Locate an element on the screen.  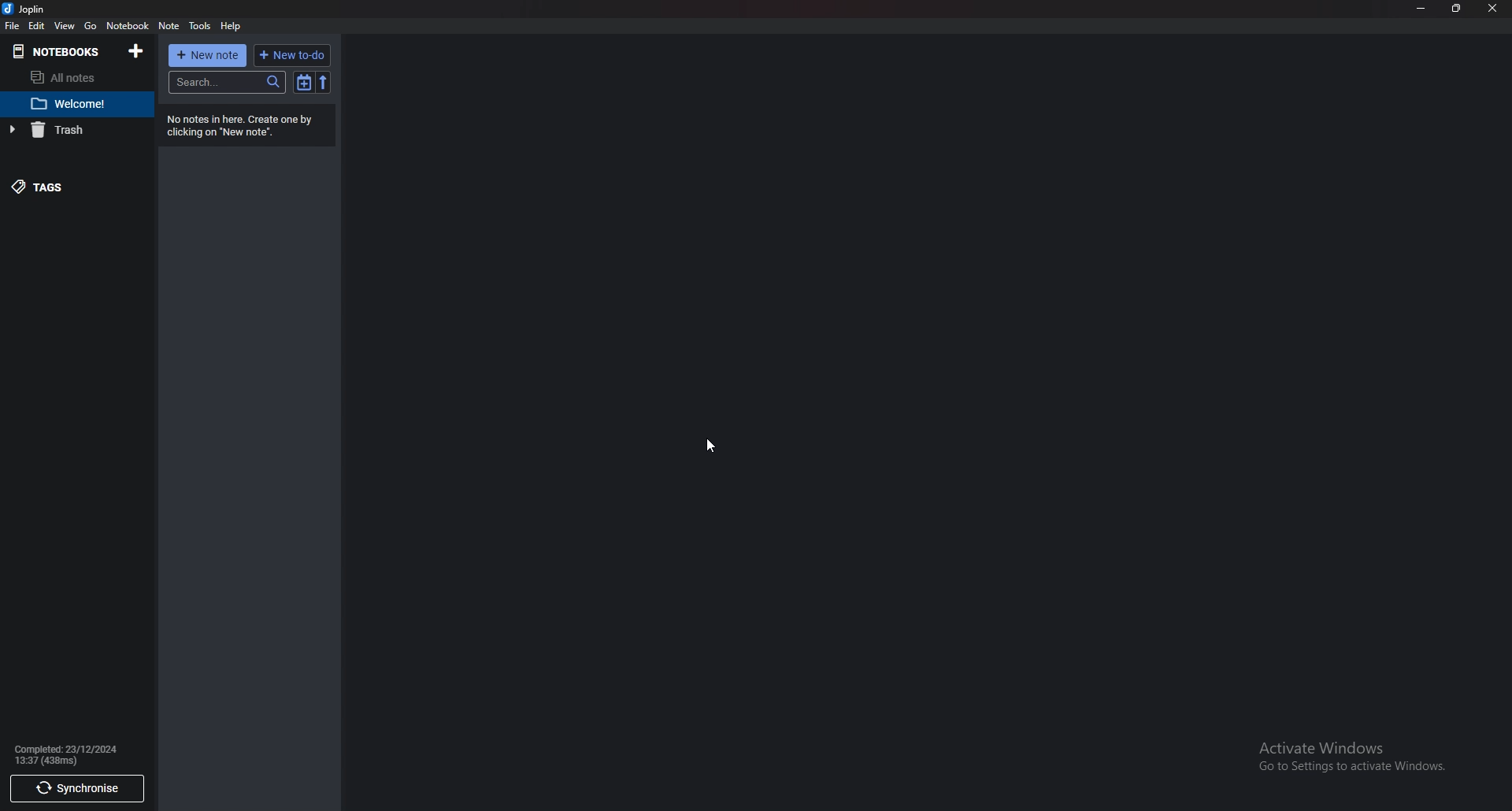
Minimize is located at coordinates (1421, 9).